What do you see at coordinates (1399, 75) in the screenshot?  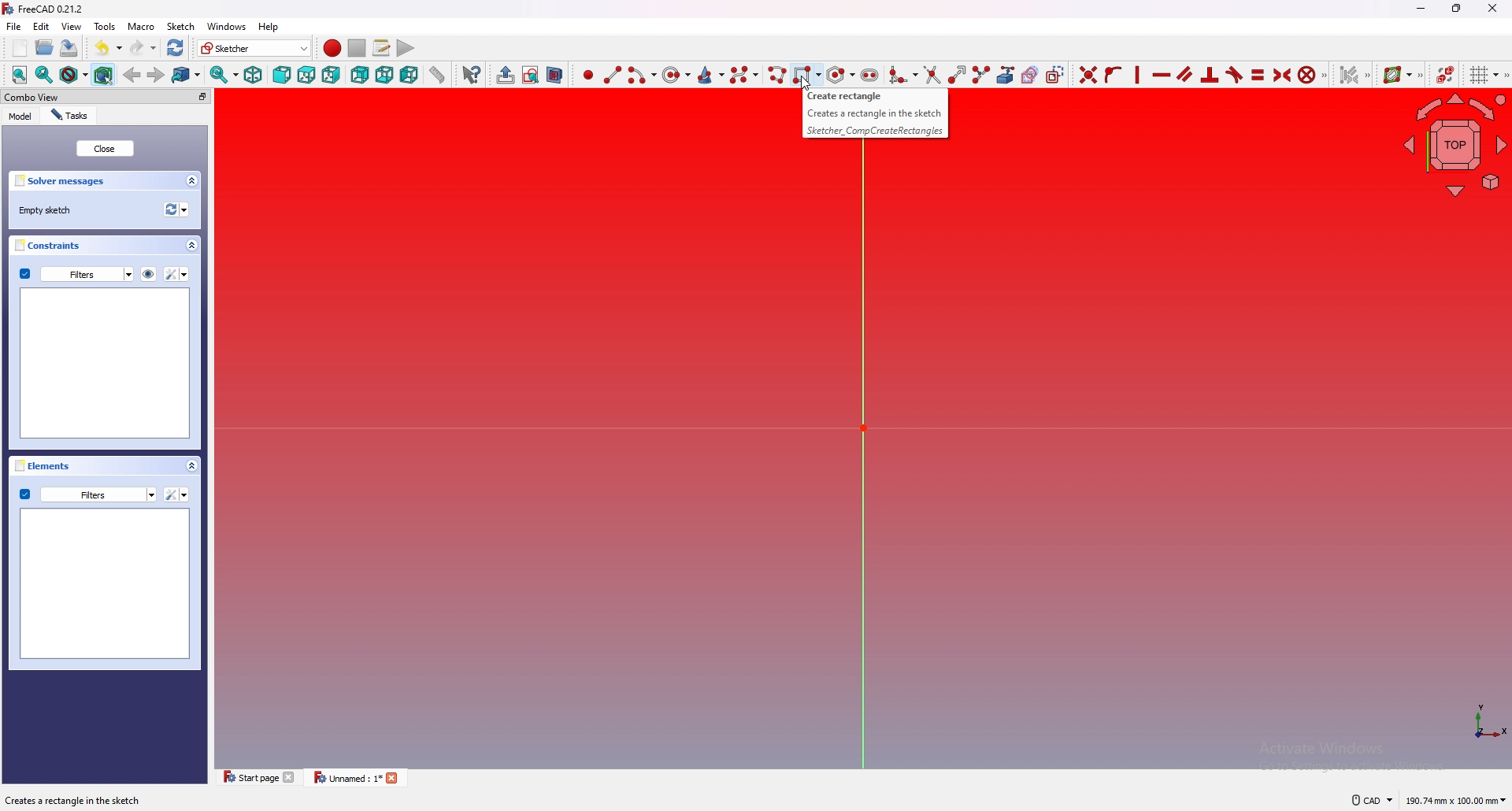 I see `show B spline info` at bounding box center [1399, 75].